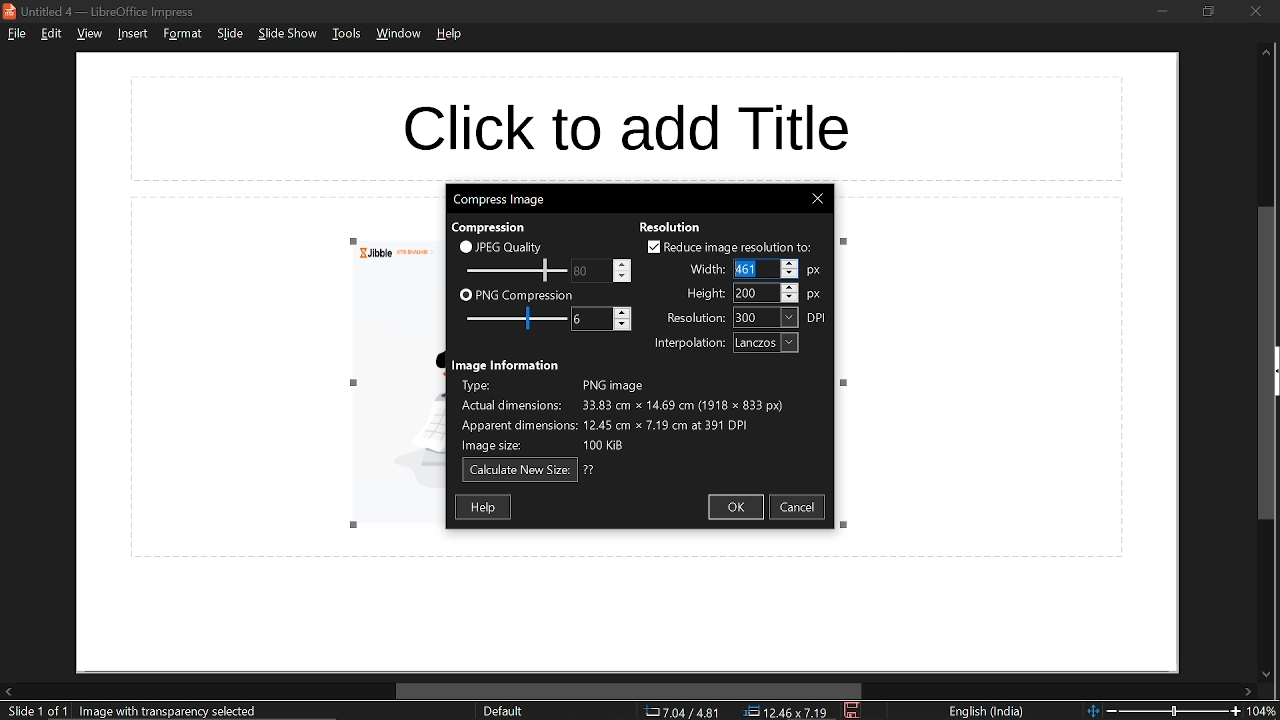 The width and height of the screenshot is (1280, 720). I want to click on cancel, so click(801, 509).